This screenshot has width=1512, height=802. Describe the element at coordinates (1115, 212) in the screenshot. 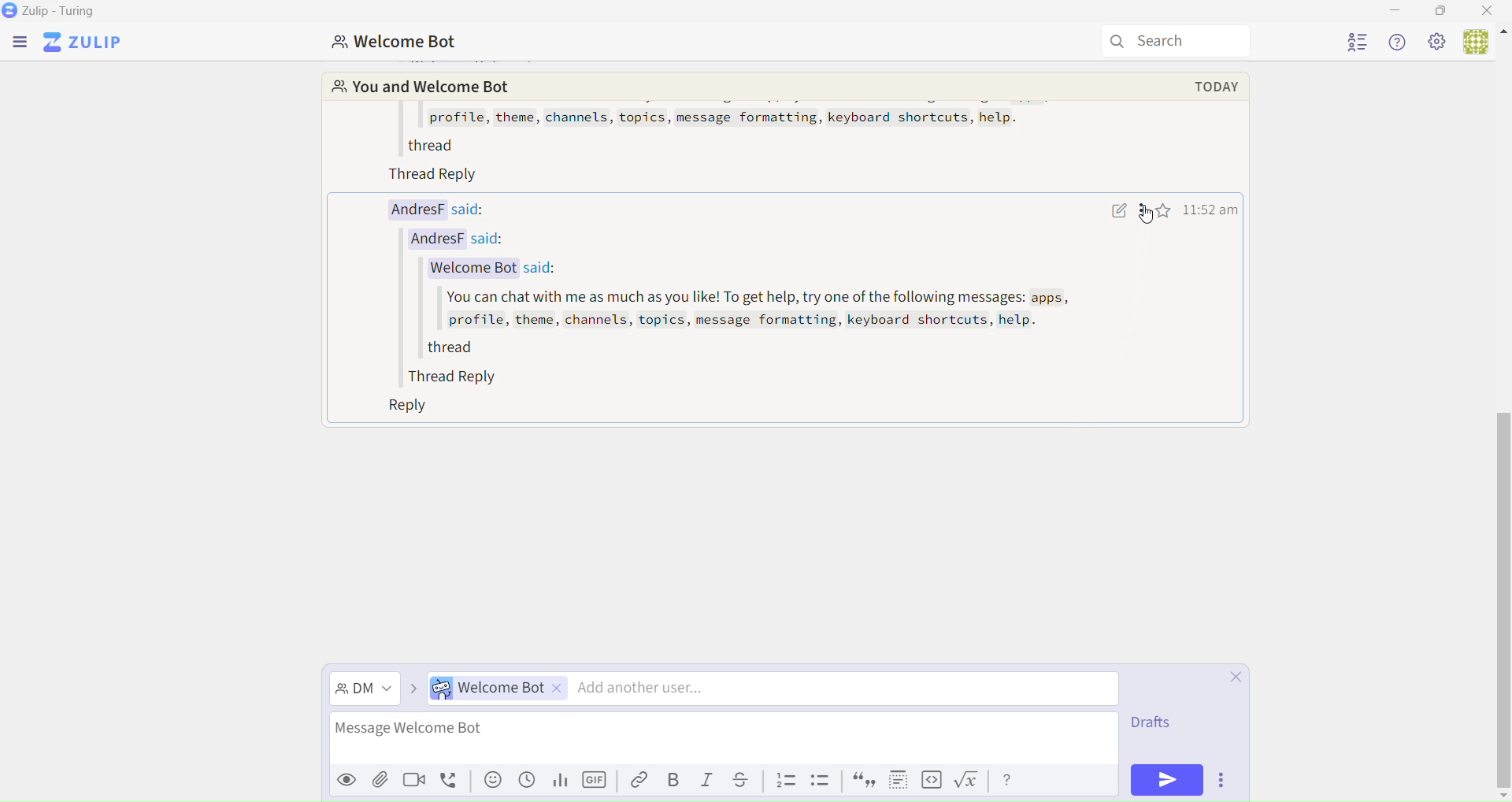

I see `Write` at that location.